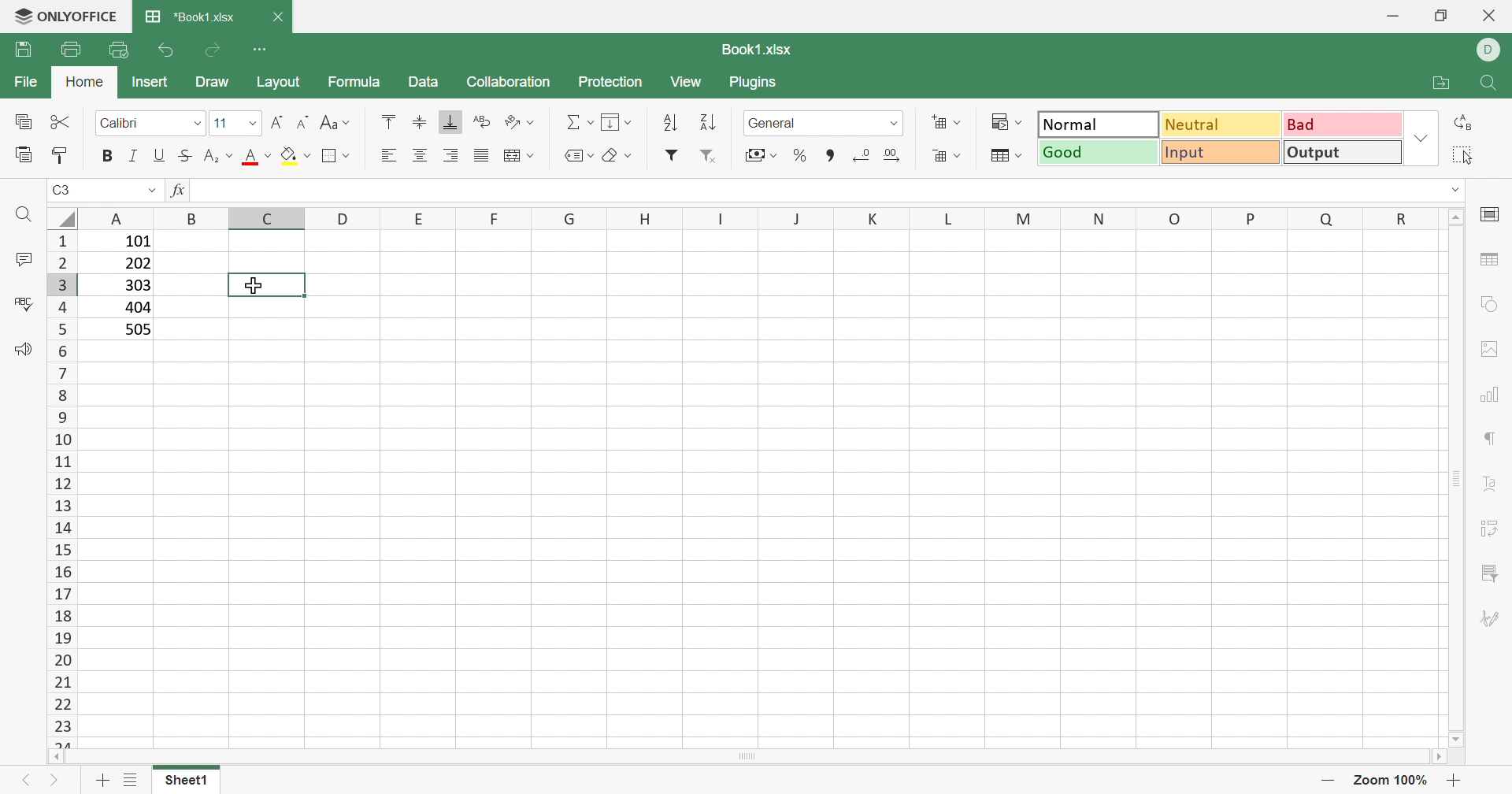 The height and width of the screenshot is (794, 1512). What do you see at coordinates (1388, 779) in the screenshot?
I see `Zoom 100%` at bounding box center [1388, 779].